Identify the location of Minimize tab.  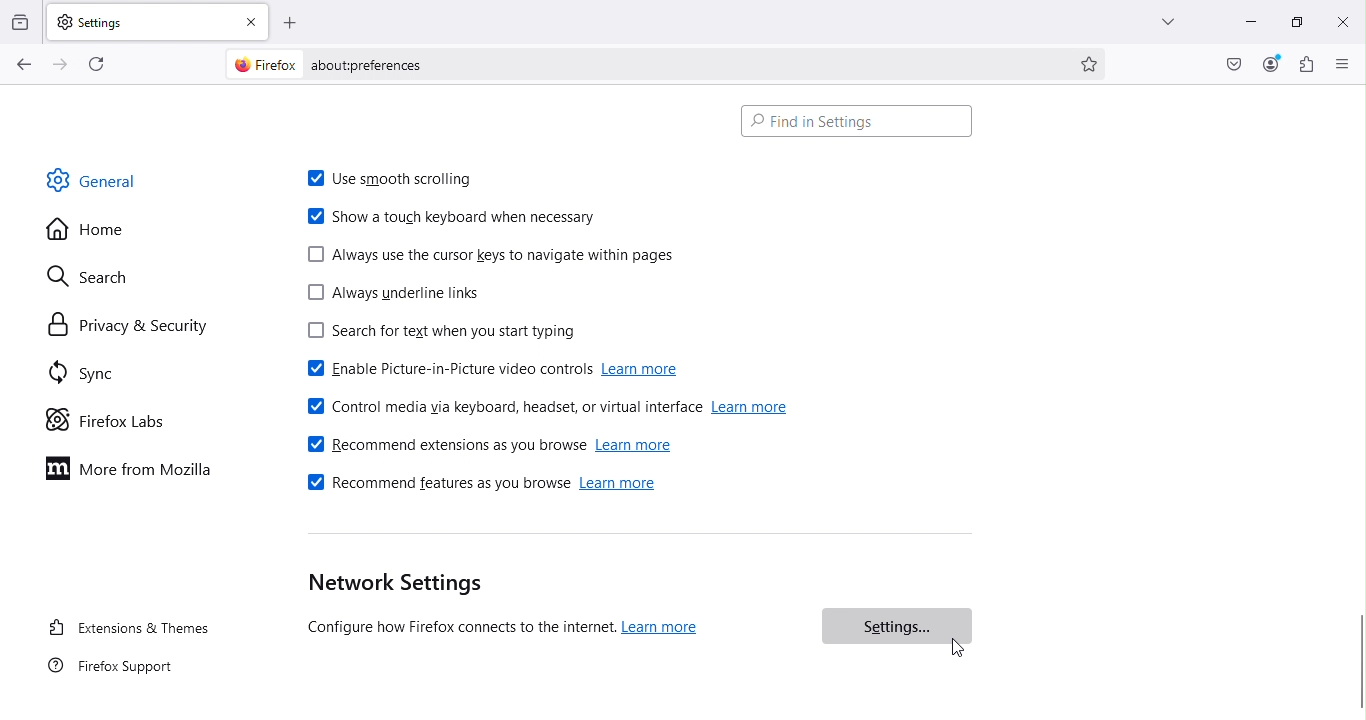
(1245, 24).